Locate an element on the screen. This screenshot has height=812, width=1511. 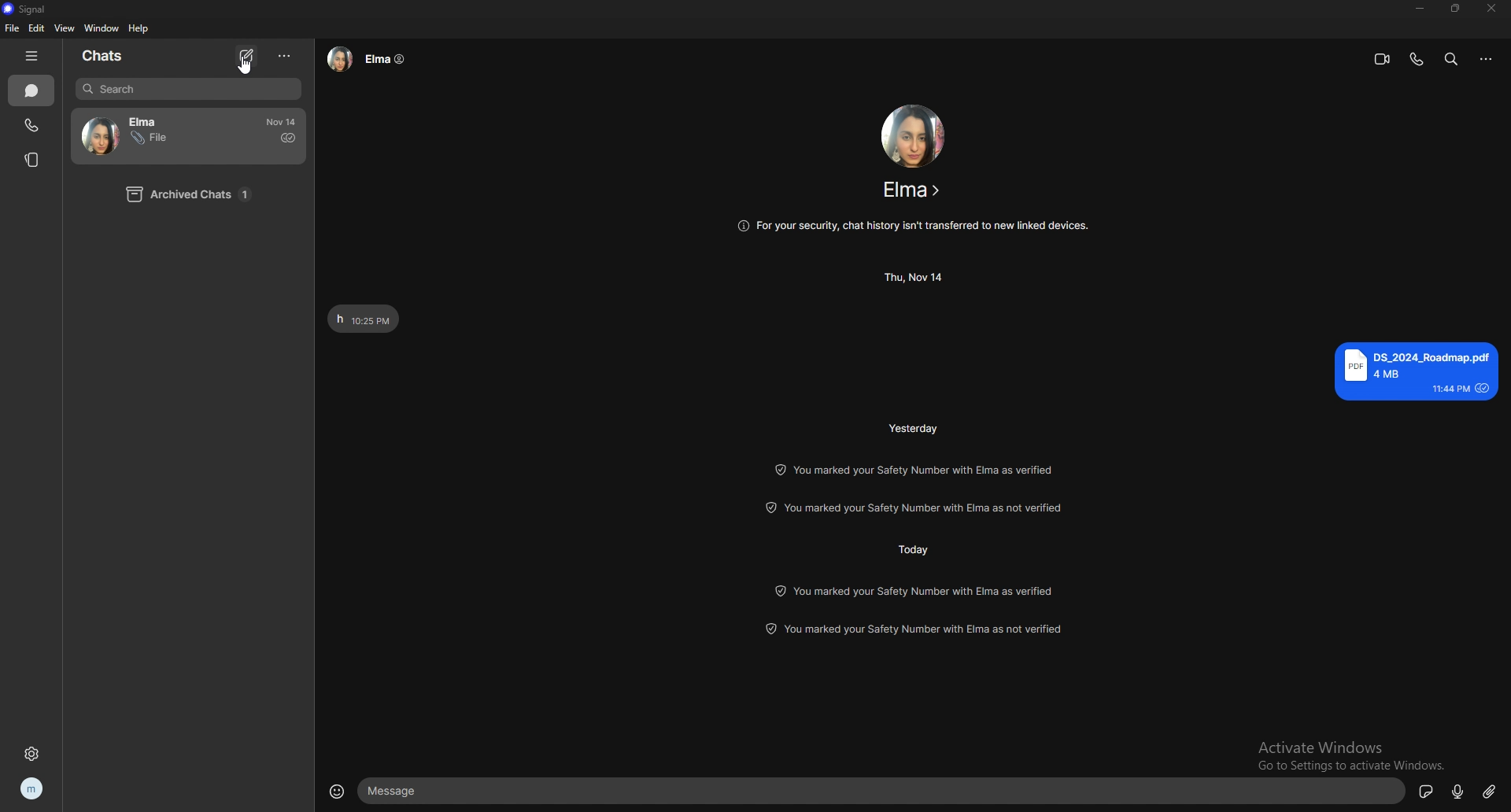
new chat is located at coordinates (248, 55).